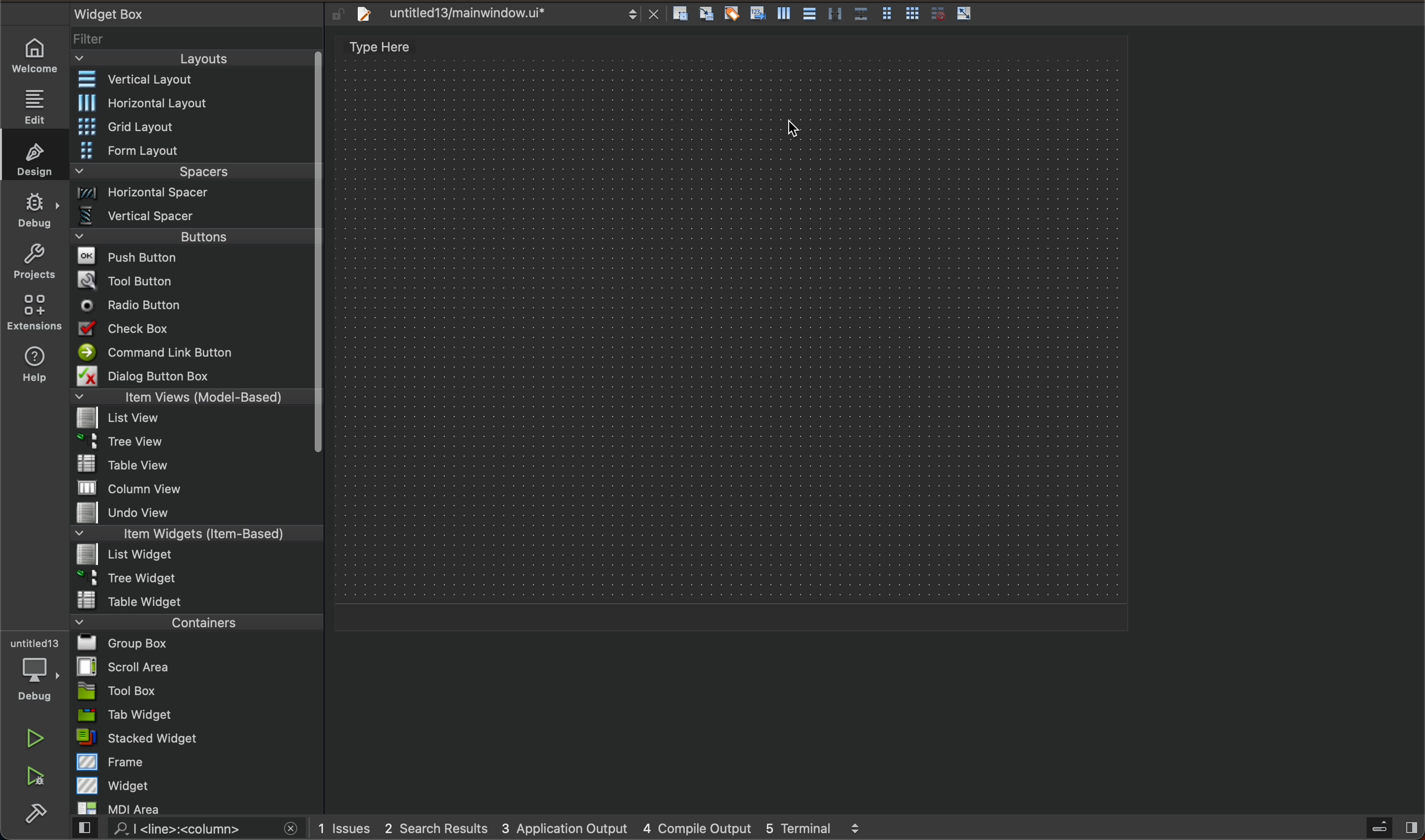 This screenshot has width=1425, height=840. Describe the element at coordinates (36, 738) in the screenshot. I see `` at that location.